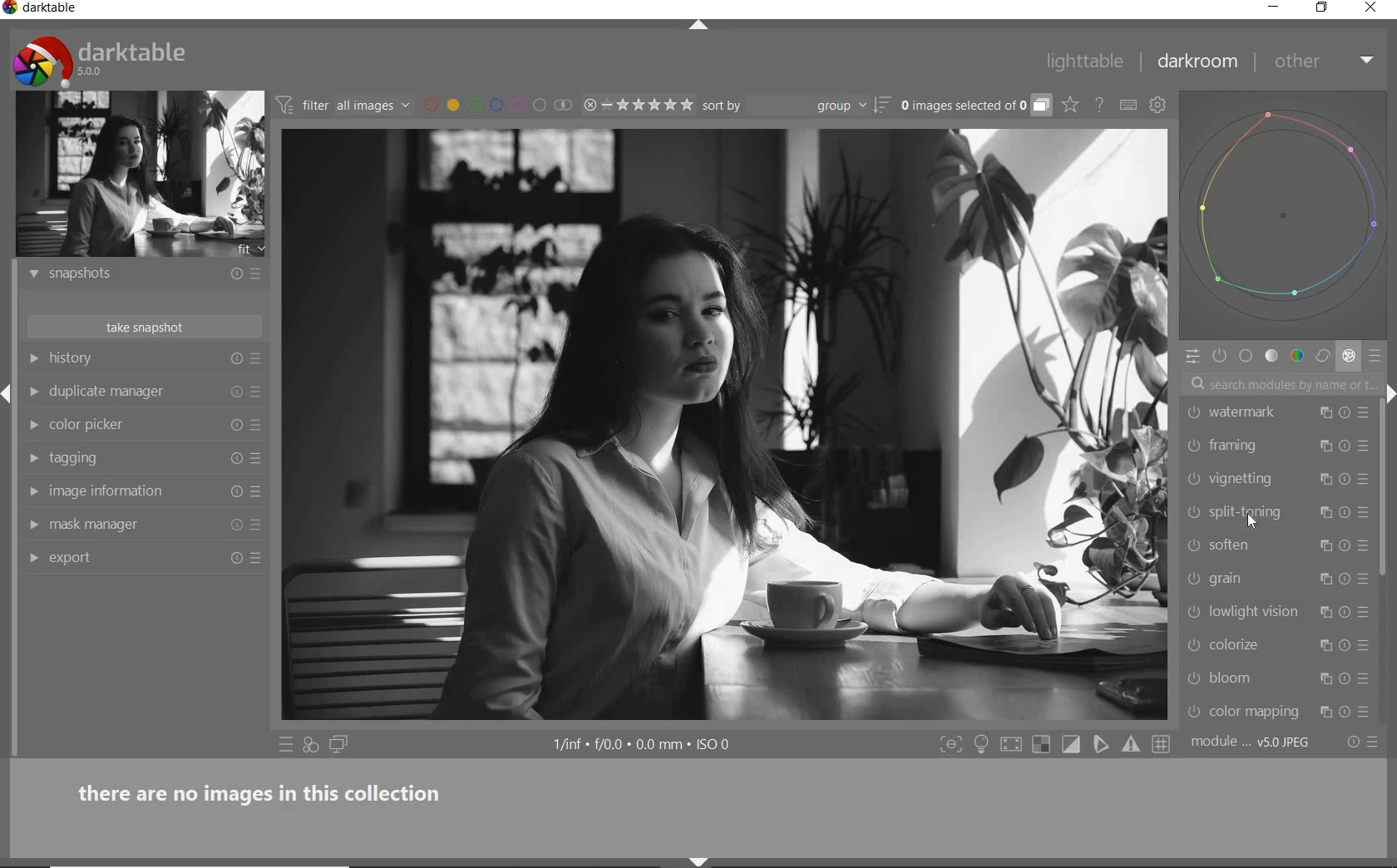 Image resolution: width=1397 pixels, height=868 pixels. What do you see at coordinates (1190, 545) in the screenshot?
I see `'soften' is switched off` at bounding box center [1190, 545].